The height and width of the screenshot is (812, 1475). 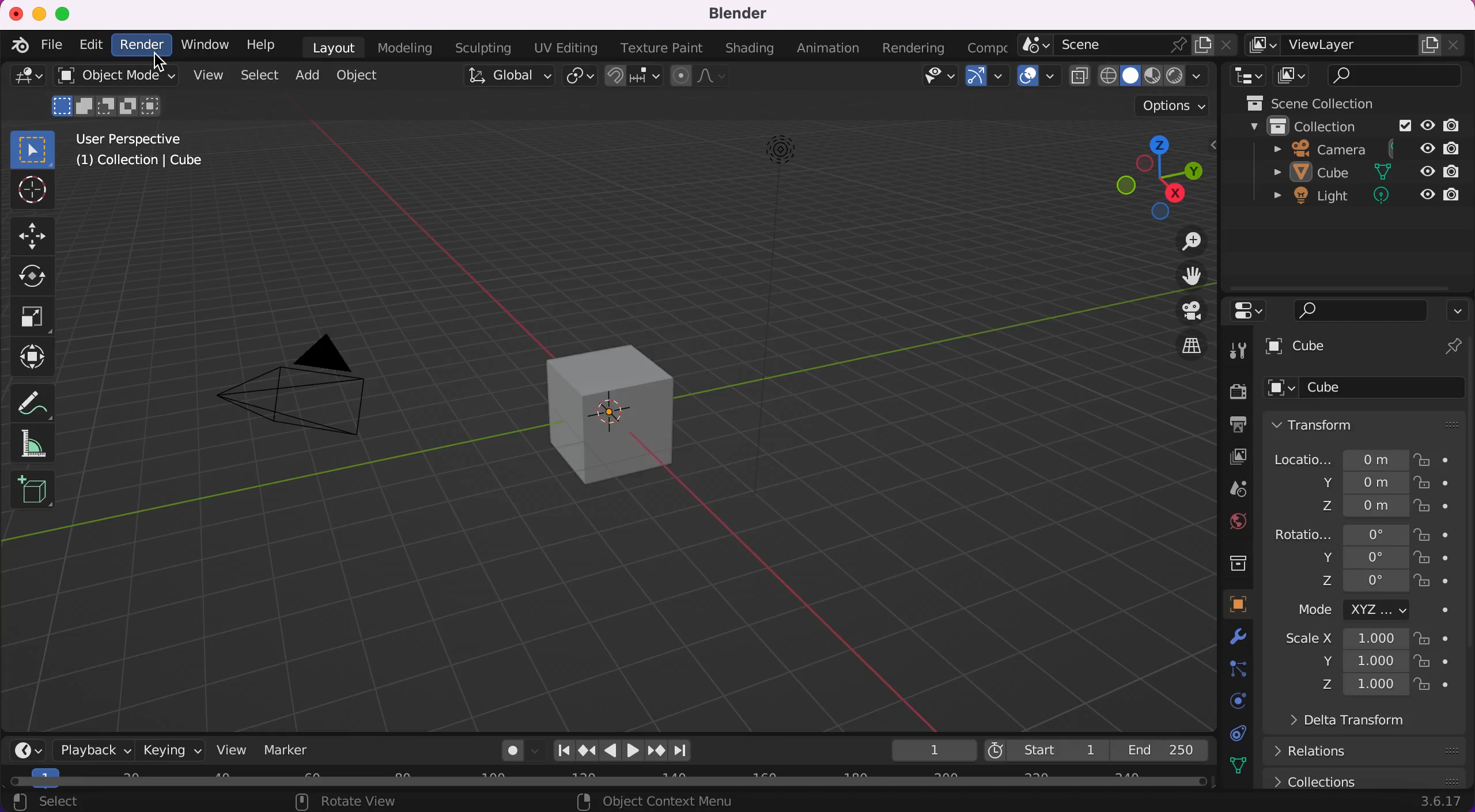 I want to click on z 0m, so click(x=1333, y=507).